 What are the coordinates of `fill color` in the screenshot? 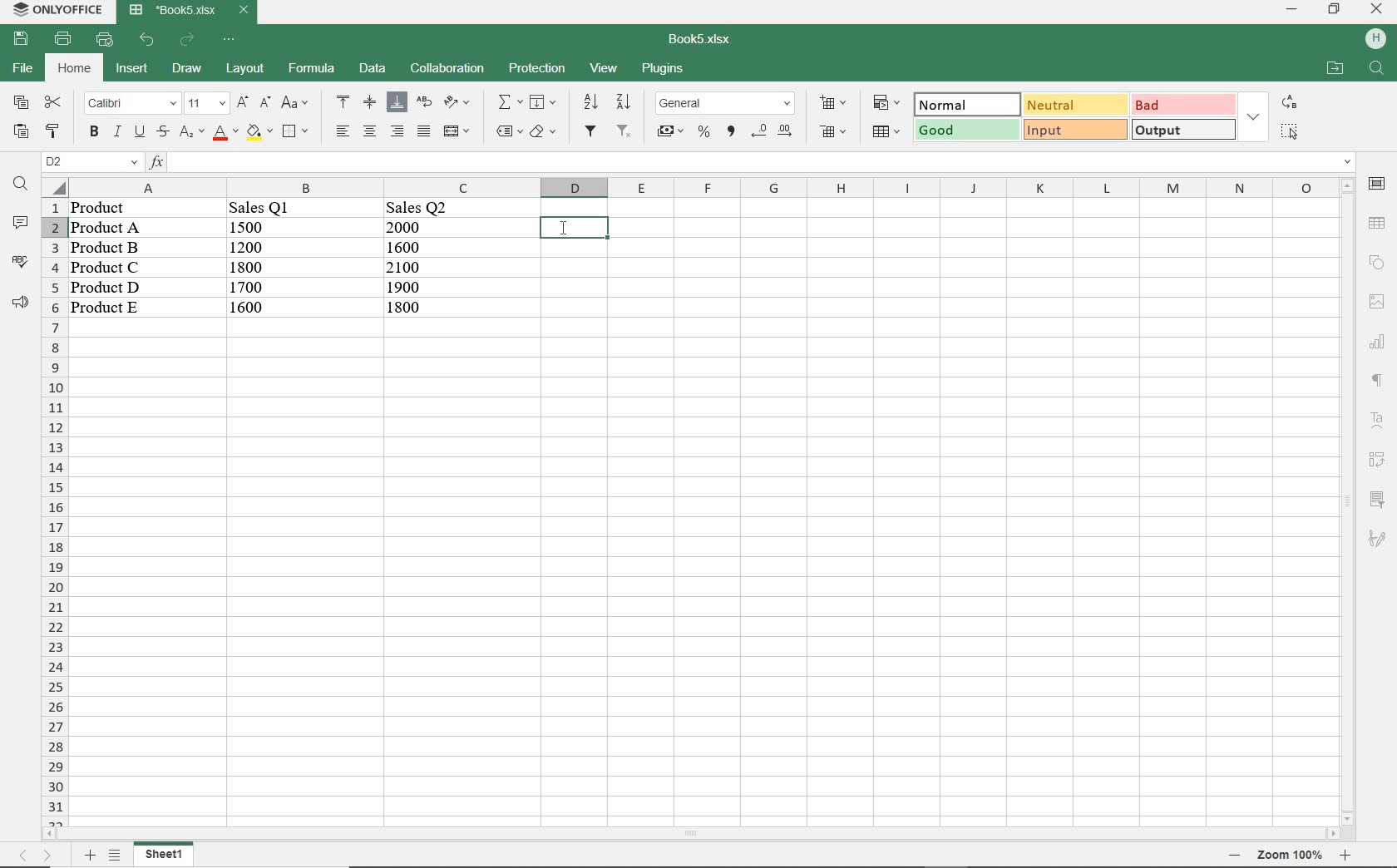 It's located at (258, 131).